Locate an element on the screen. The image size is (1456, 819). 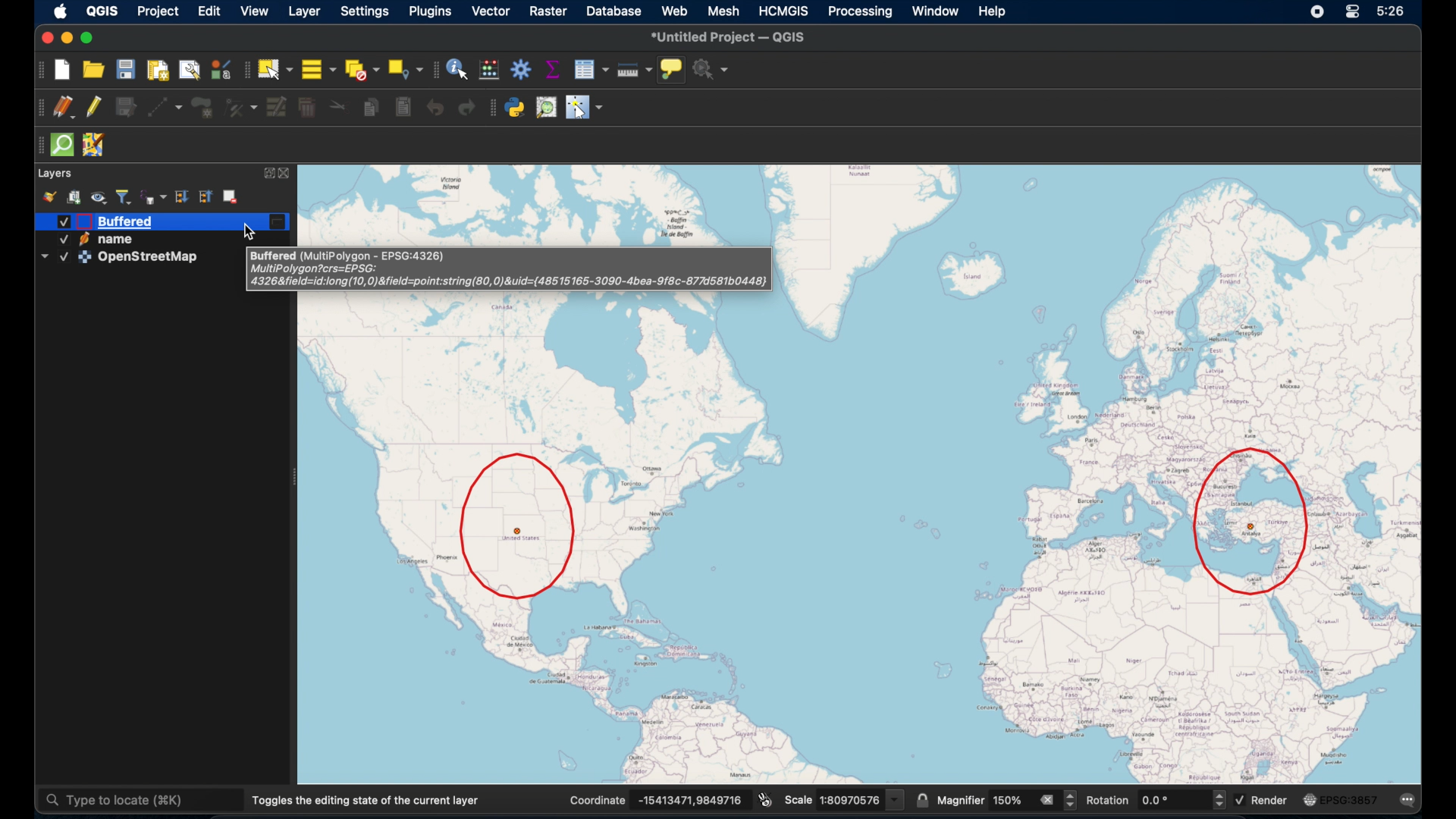
5:26 is located at coordinates (1392, 11).